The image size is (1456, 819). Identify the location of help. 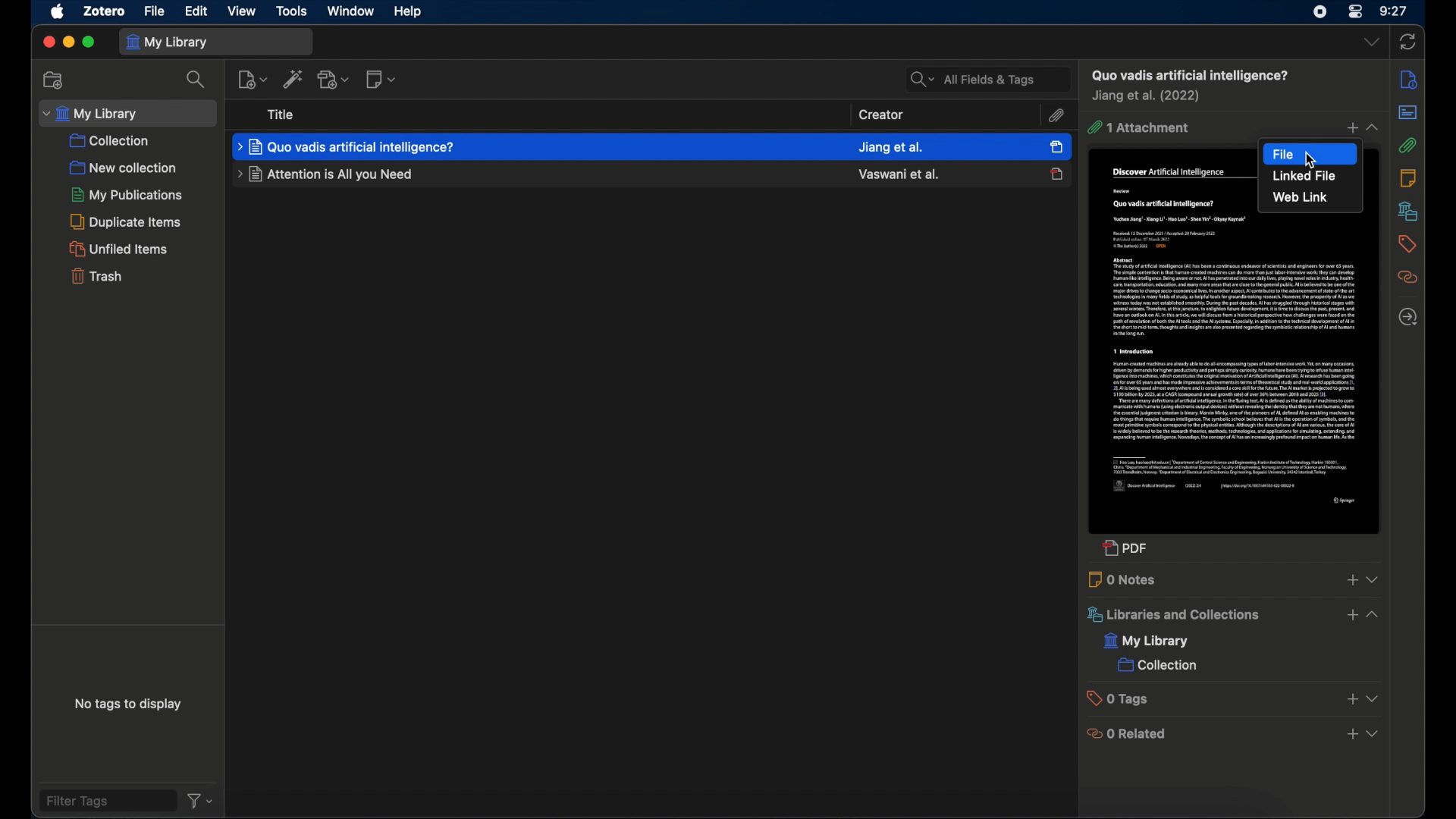
(406, 11).